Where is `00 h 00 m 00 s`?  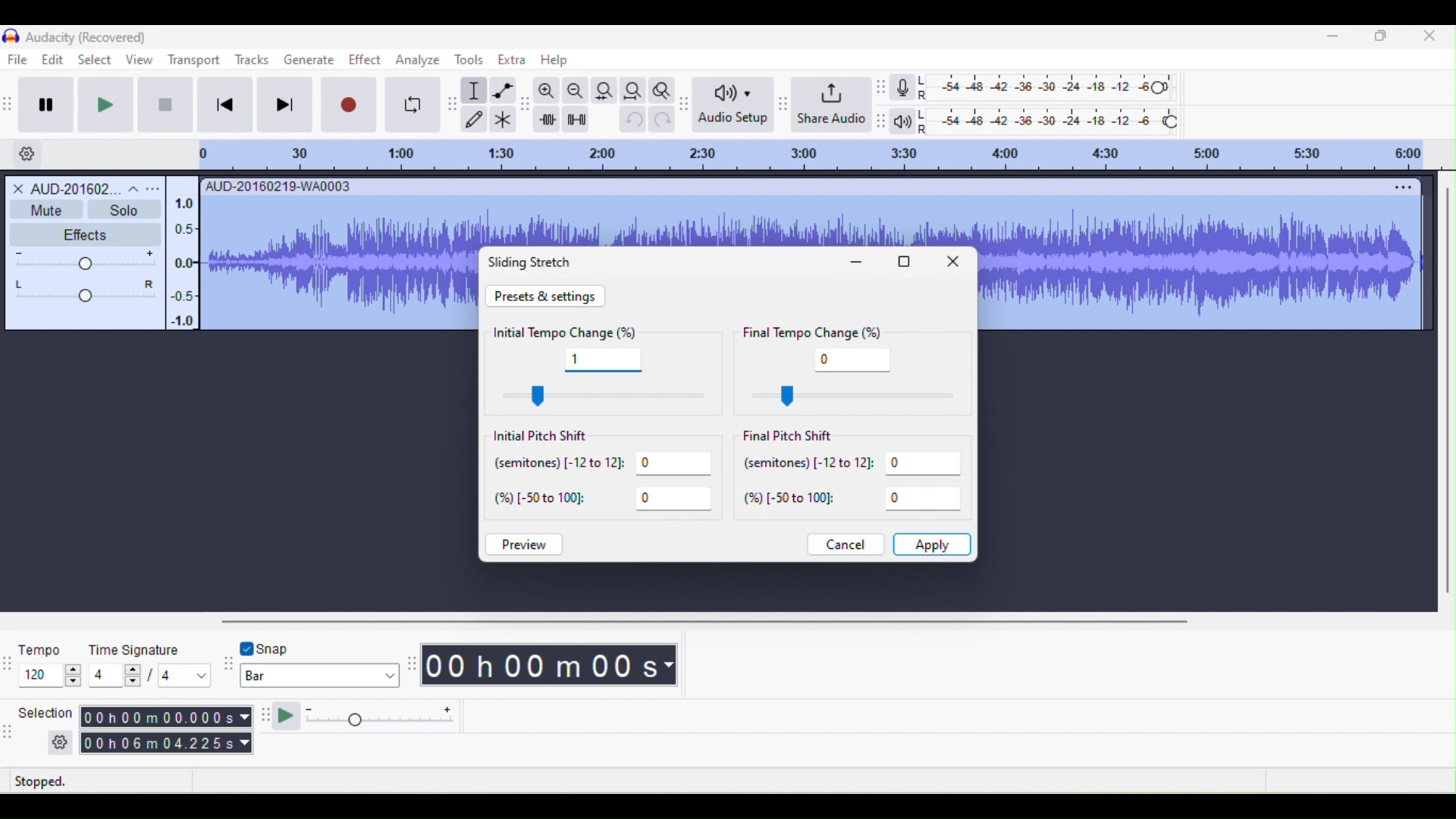 00 h 00 m 00 s is located at coordinates (551, 667).